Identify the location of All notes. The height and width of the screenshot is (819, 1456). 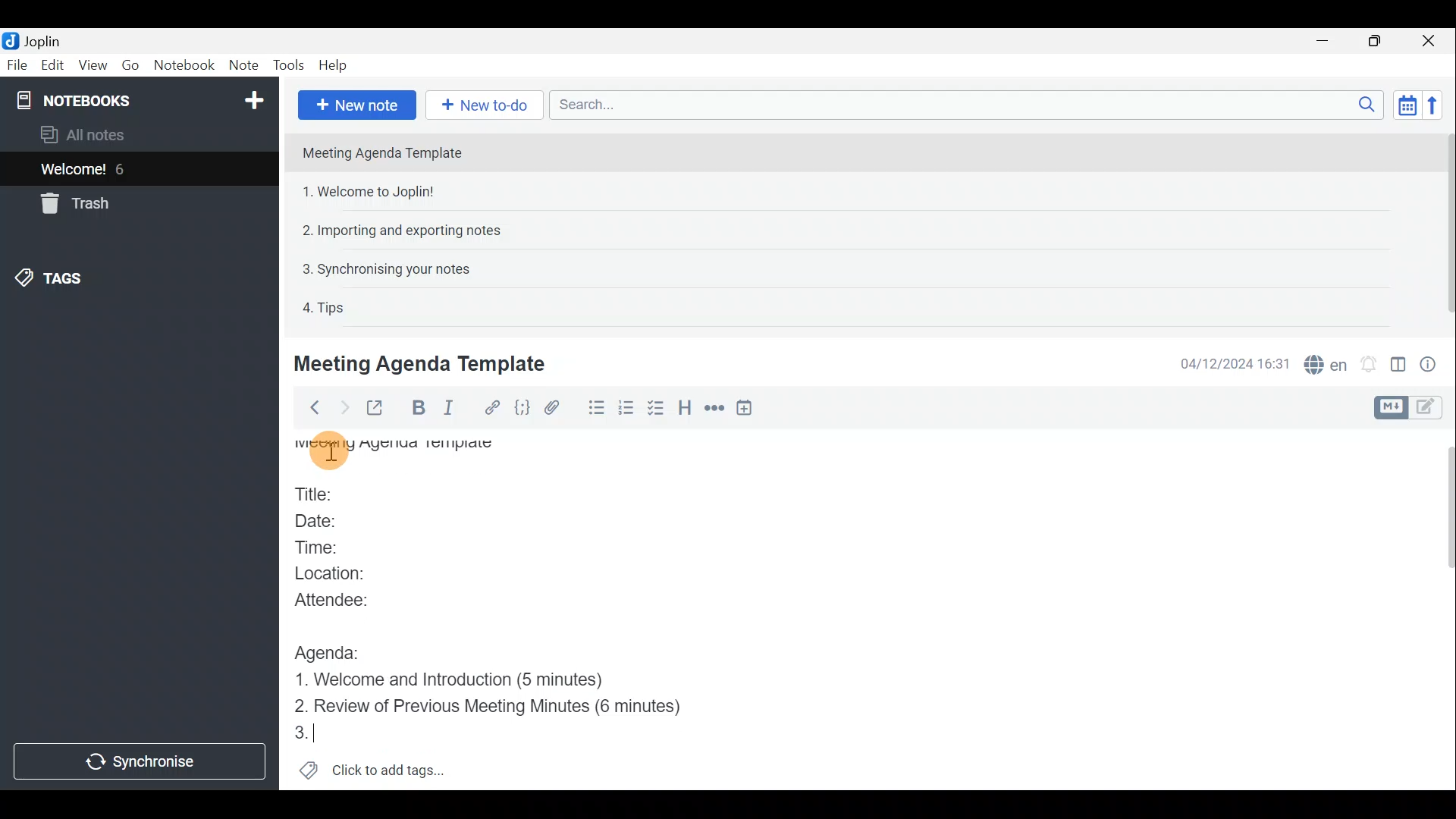
(108, 134).